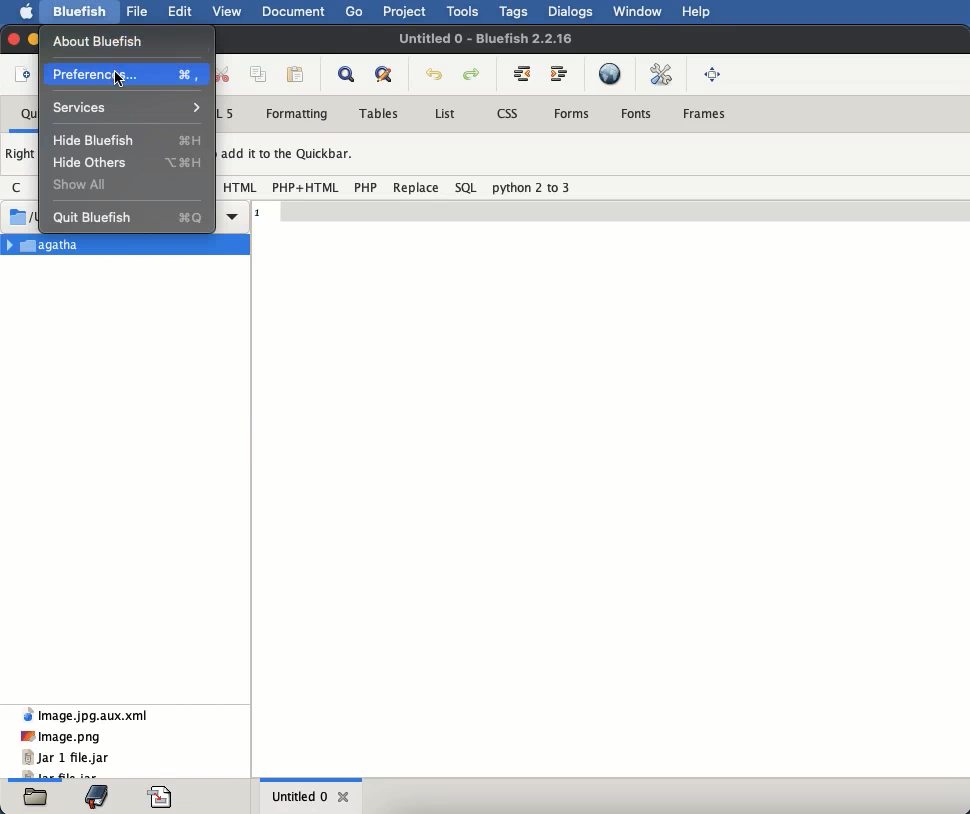 This screenshot has width=970, height=814. What do you see at coordinates (230, 11) in the screenshot?
I see `view` at bounding box center [230, 11].